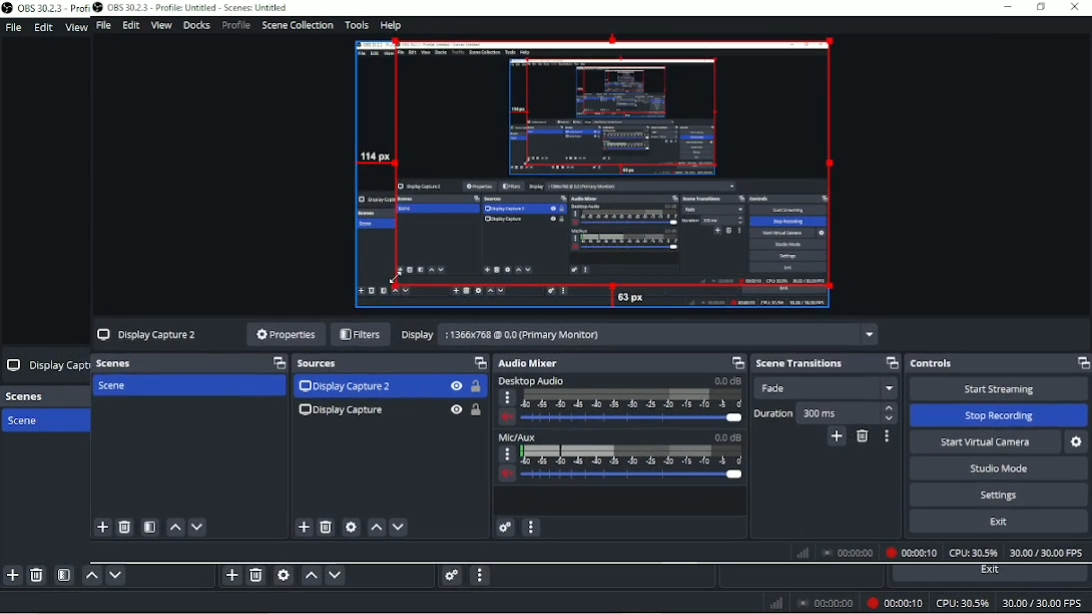  What do you see at coordinates (1078, 7) in the screenshot?
I see `Close` at bounding box center [1078, 7].